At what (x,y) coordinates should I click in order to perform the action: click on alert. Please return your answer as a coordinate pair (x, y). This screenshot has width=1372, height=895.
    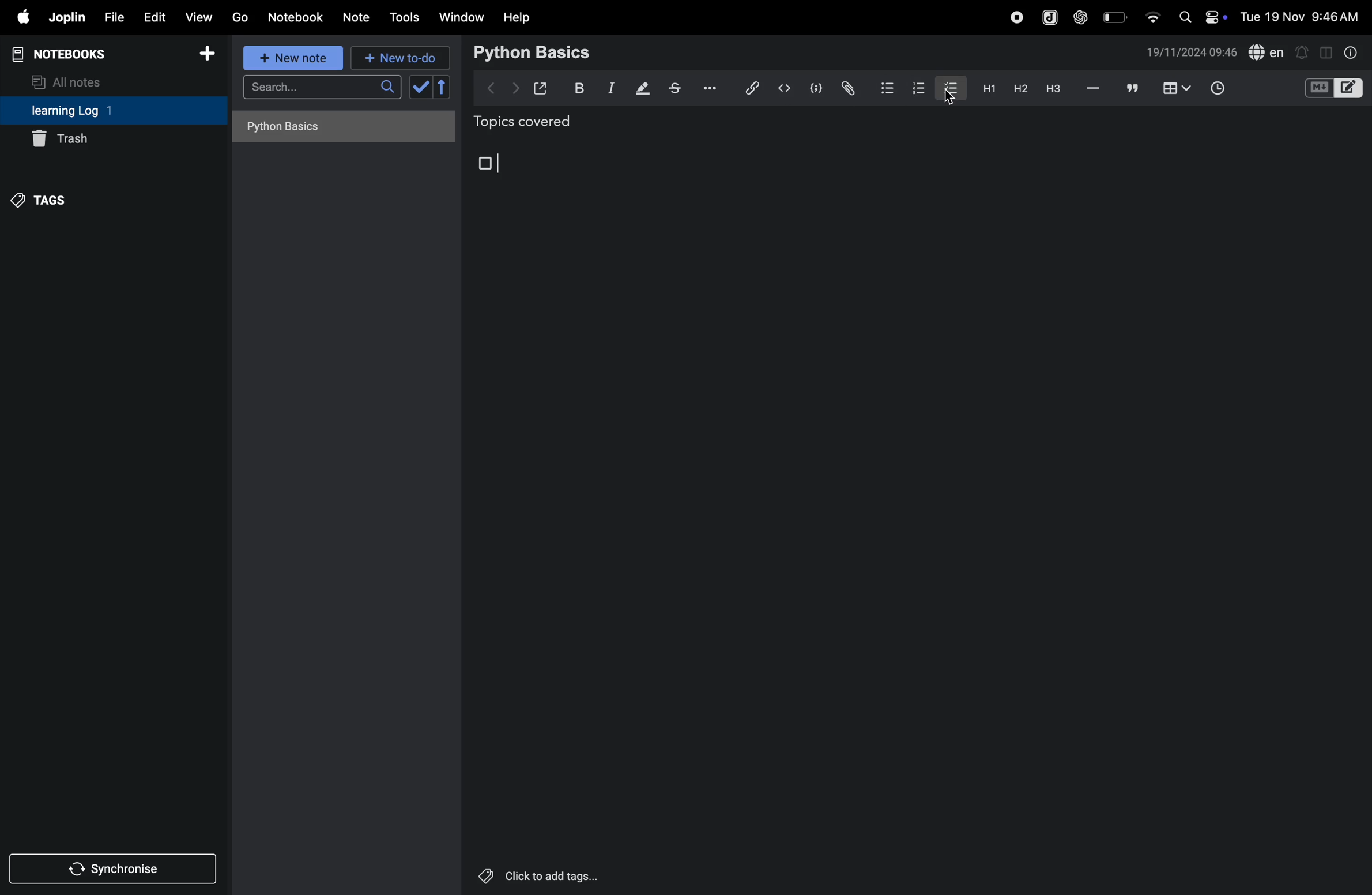
    Looking at the image, I should click on (1303, 51).